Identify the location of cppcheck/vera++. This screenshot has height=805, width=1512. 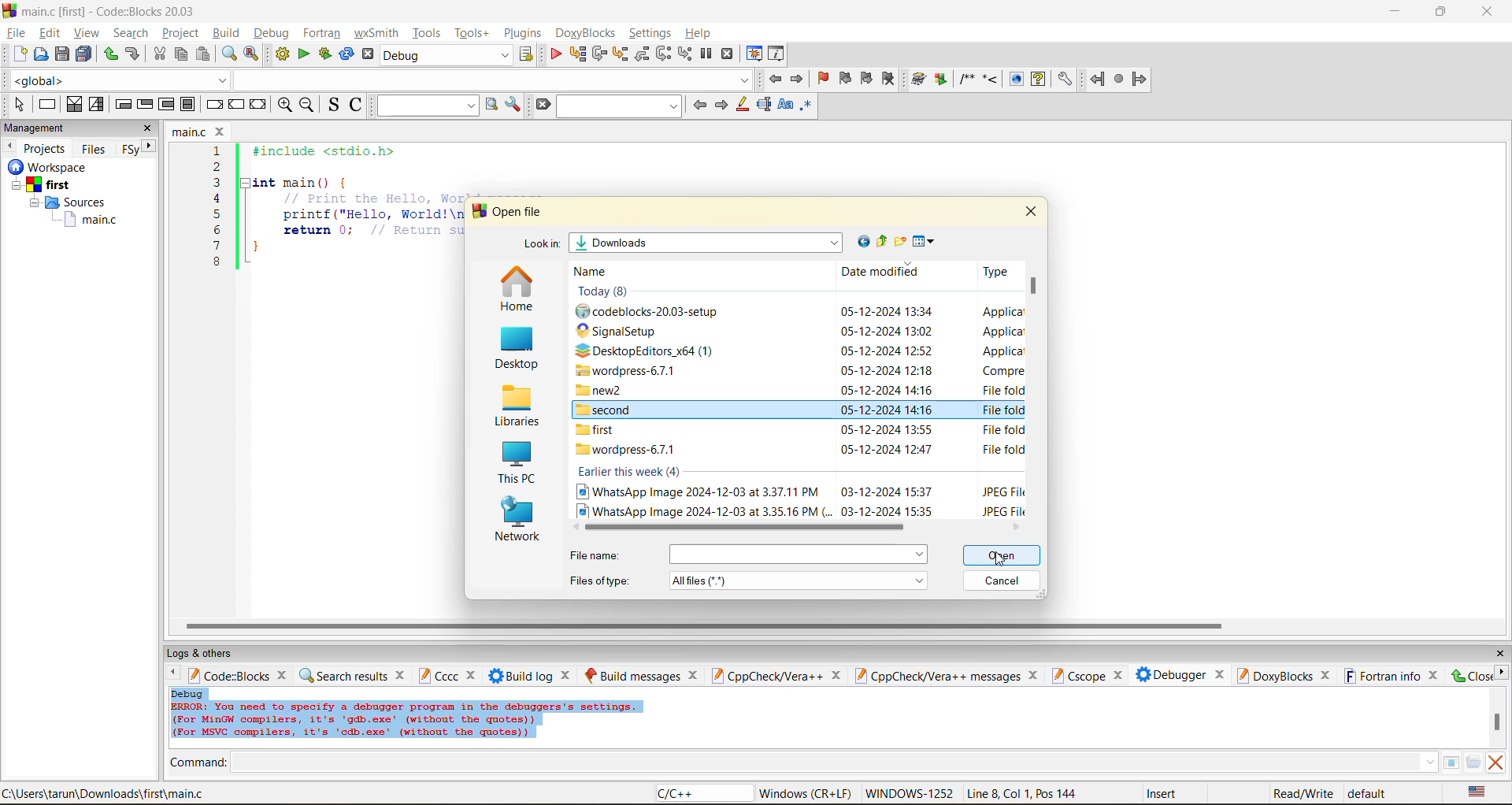
(765, 677).